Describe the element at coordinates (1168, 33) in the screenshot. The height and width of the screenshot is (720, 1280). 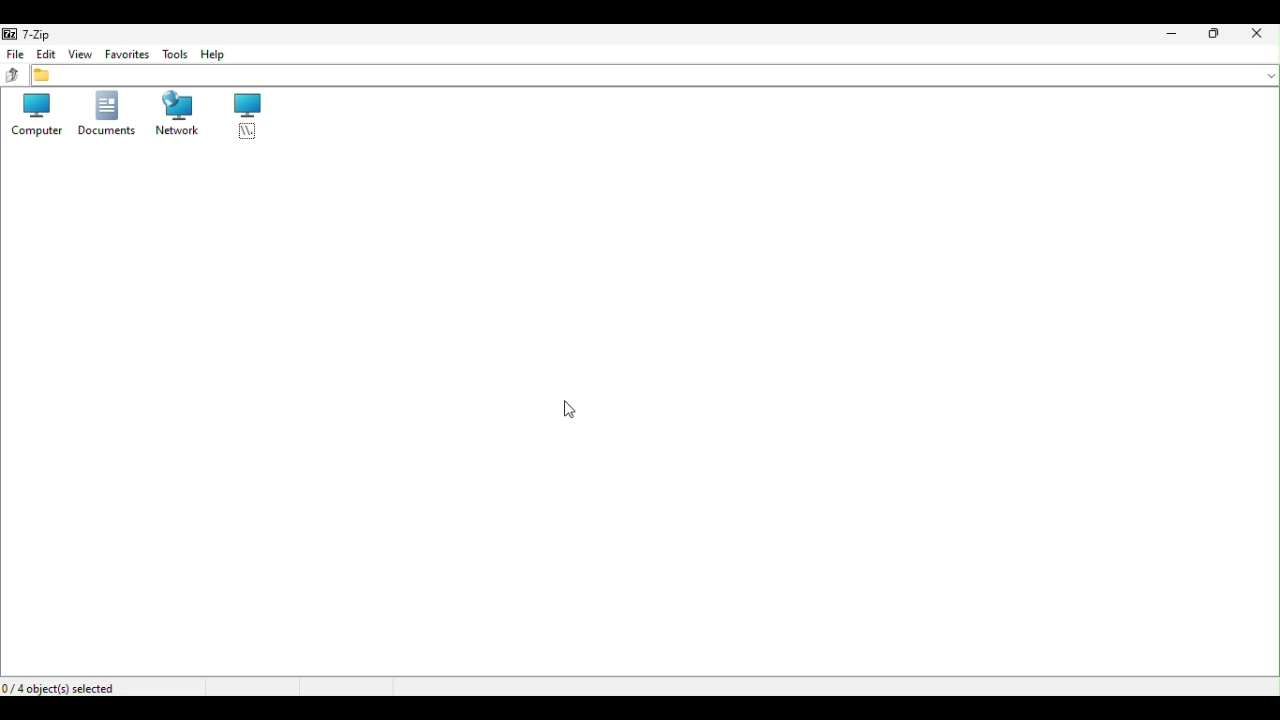
I see `Minimize` at that location.